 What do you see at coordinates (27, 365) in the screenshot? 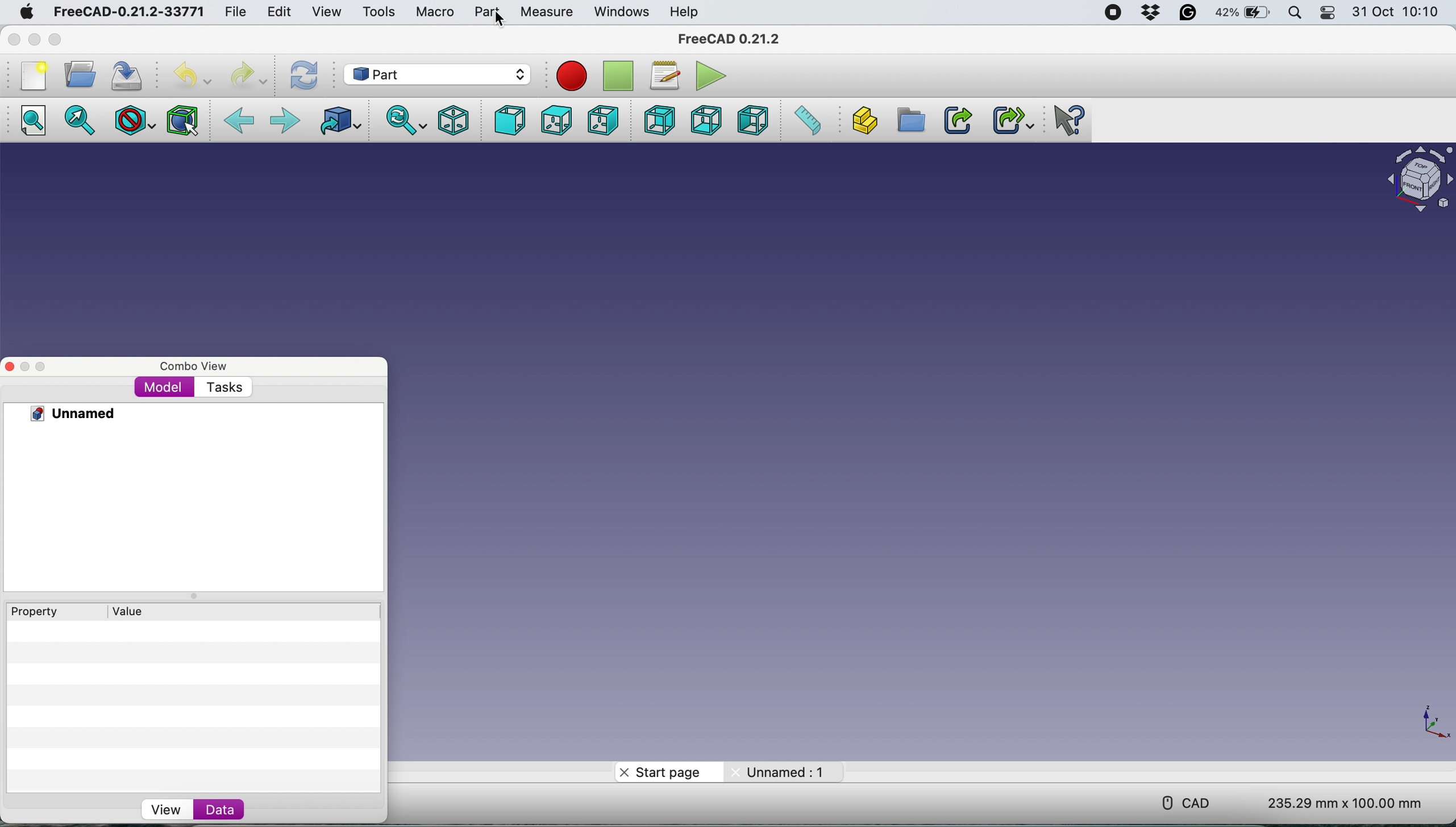
I see `Minimize` at bounding box center [27, 365].